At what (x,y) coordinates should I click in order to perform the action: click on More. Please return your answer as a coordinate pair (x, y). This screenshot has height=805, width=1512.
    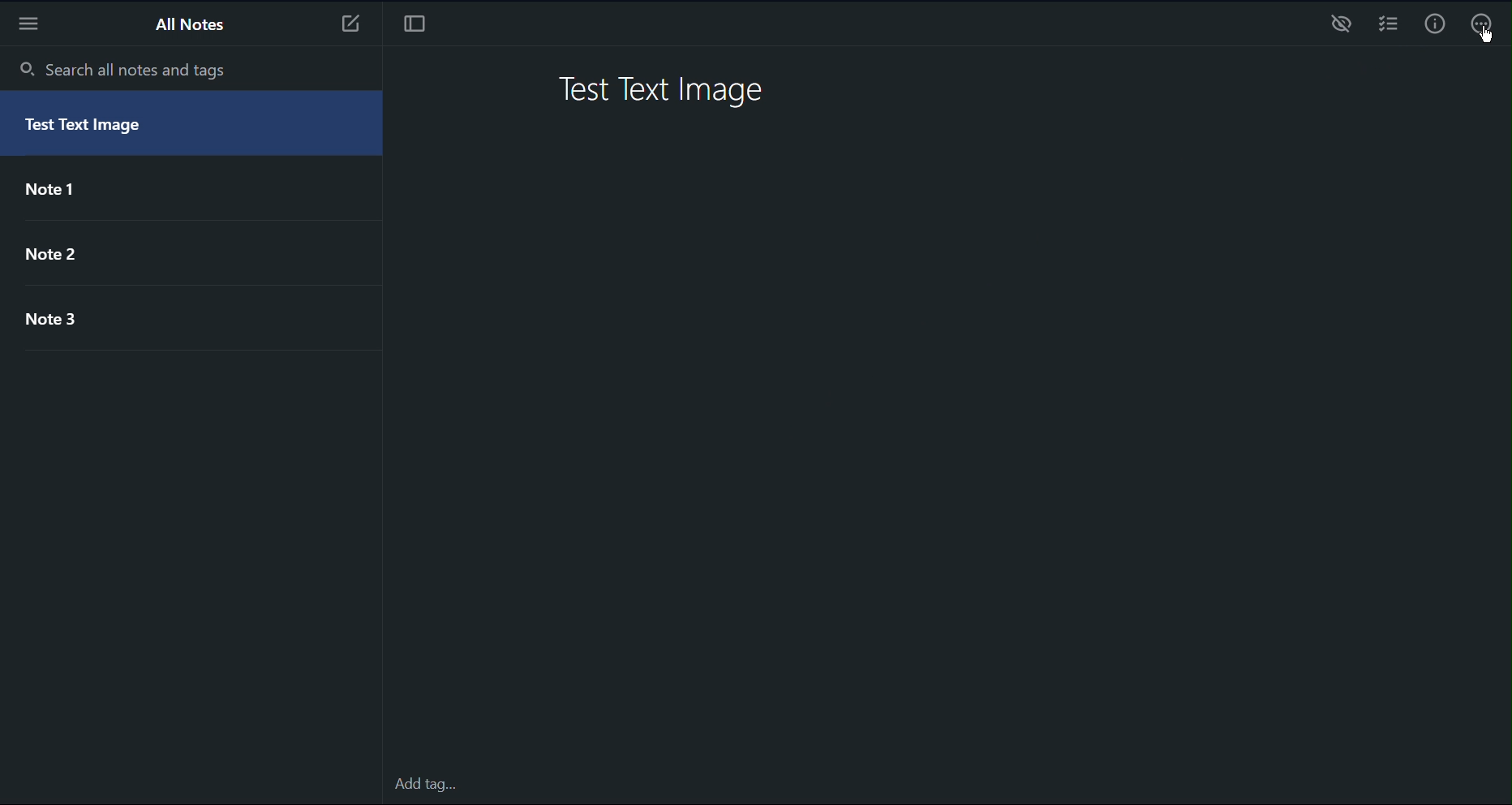
    Looking at the image, I should click on (1482, 24).